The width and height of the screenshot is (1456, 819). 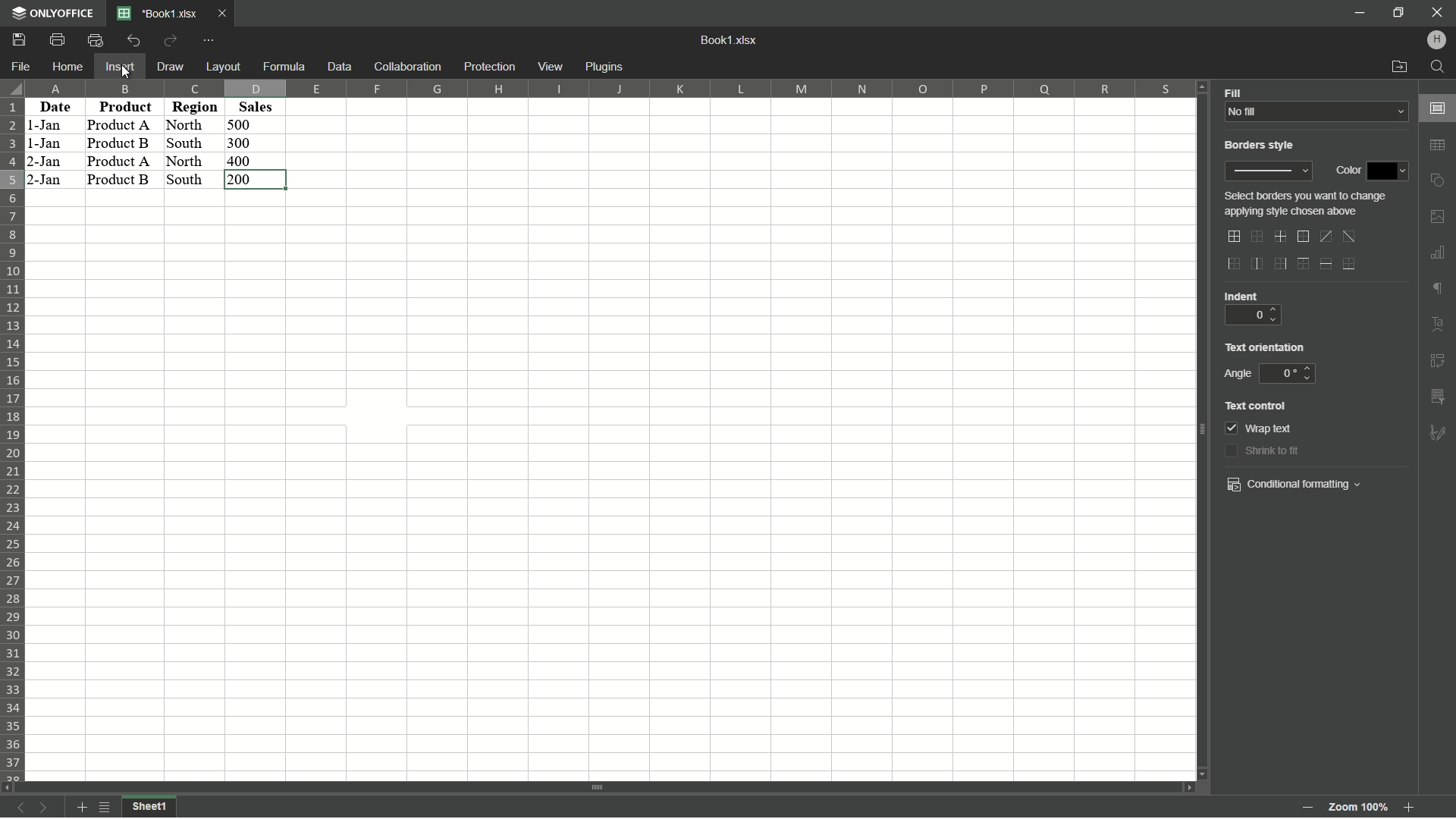 I want to click on protection, so click(x=488, y=67).